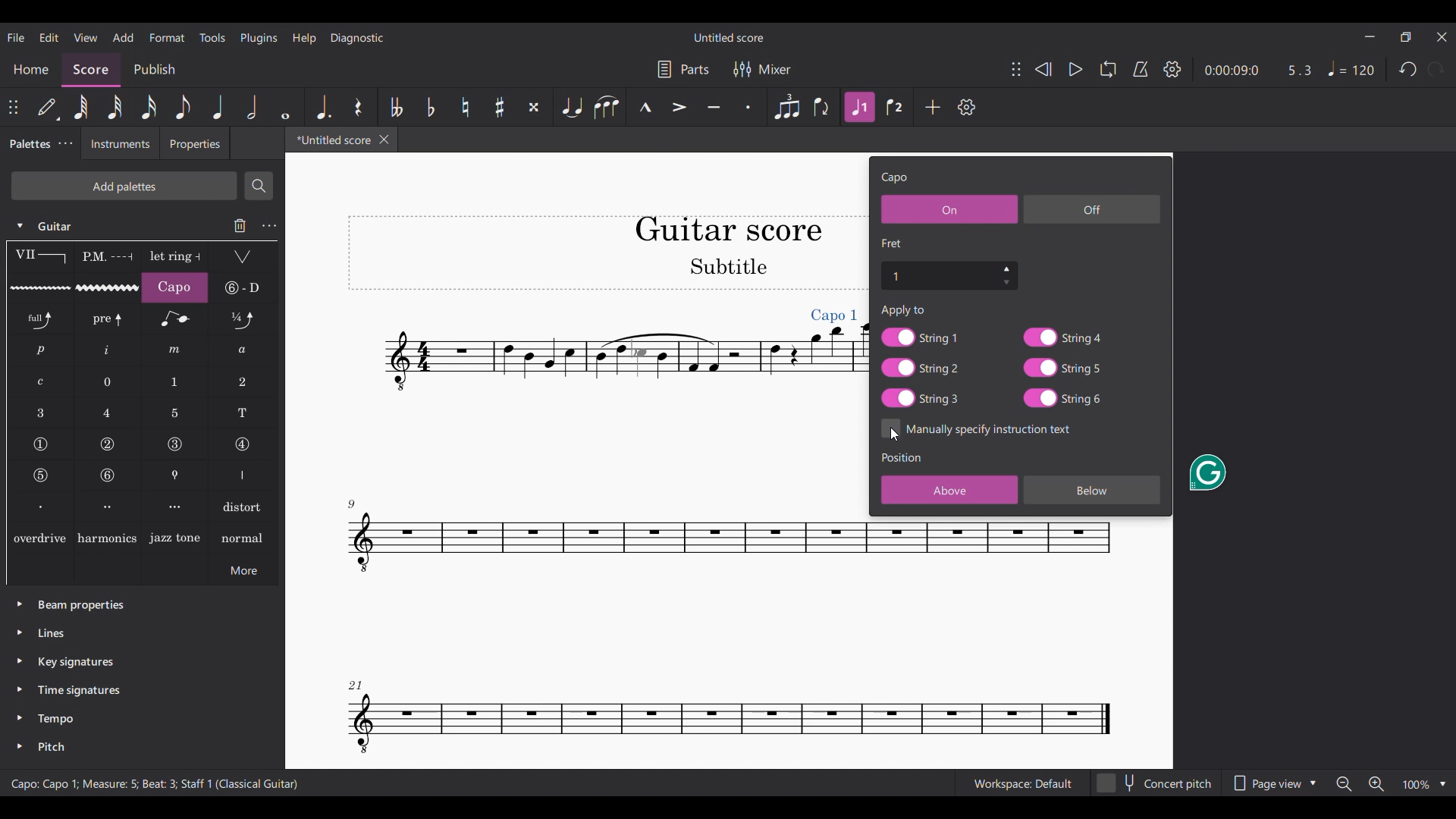 The width and height of the screenshot is (1456, 819). Describe the element at coordinates (384, 140) in the screenshot. I see `Close tab` at that location.